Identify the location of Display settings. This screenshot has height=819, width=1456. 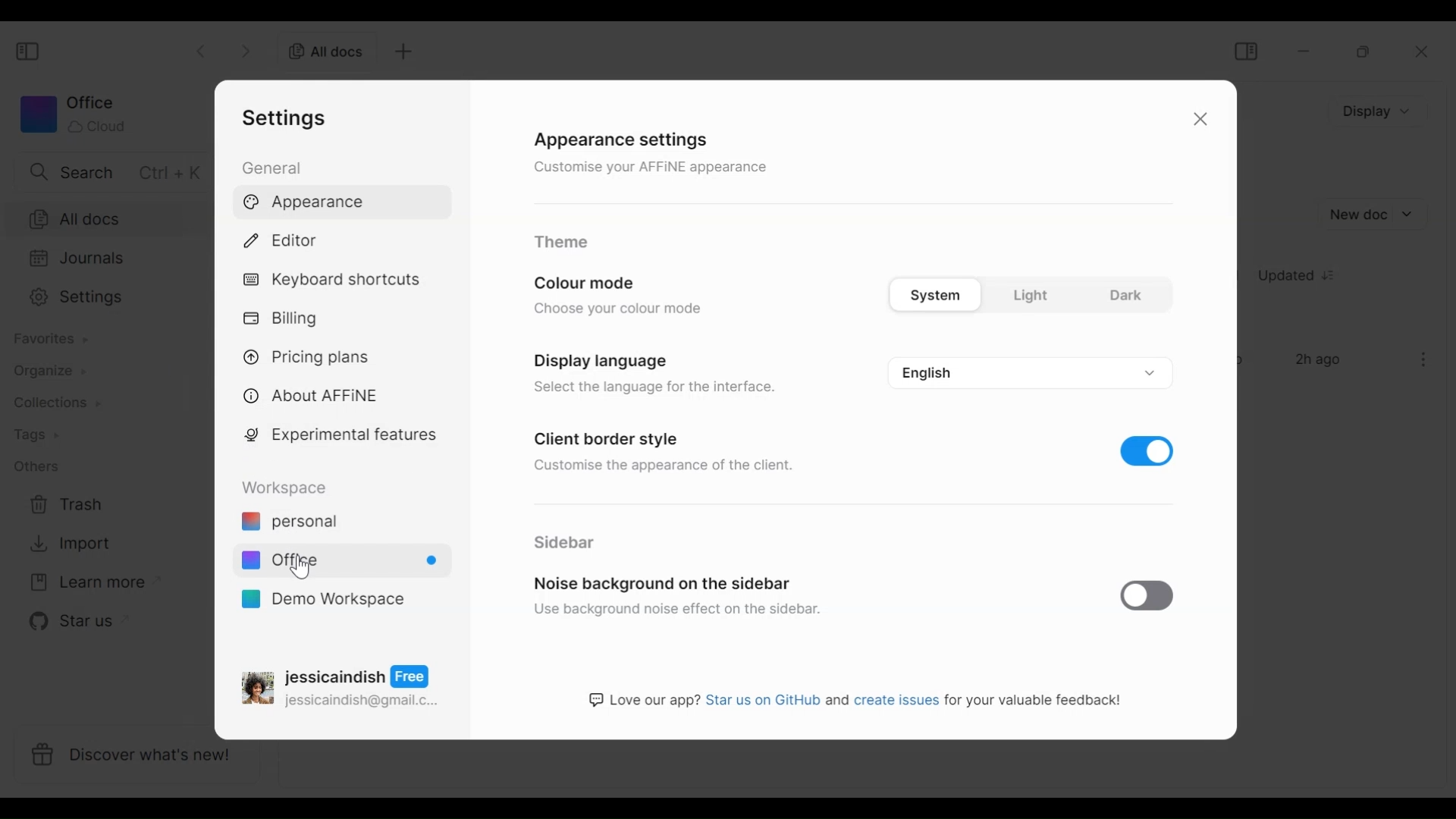
(598, 359).